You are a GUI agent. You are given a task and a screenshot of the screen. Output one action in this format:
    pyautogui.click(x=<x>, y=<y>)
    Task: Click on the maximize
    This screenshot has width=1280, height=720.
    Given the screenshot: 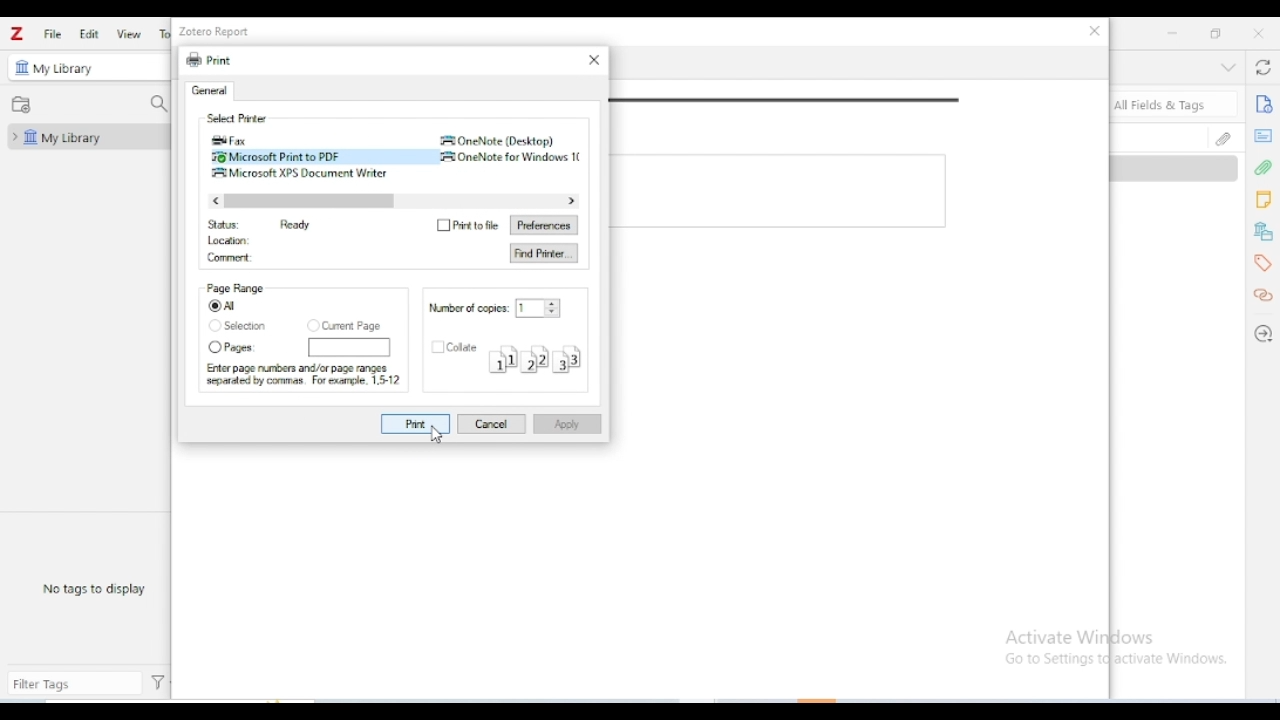 What is the action you would take?
    pyautogui.click(x=1214, y=32)
    